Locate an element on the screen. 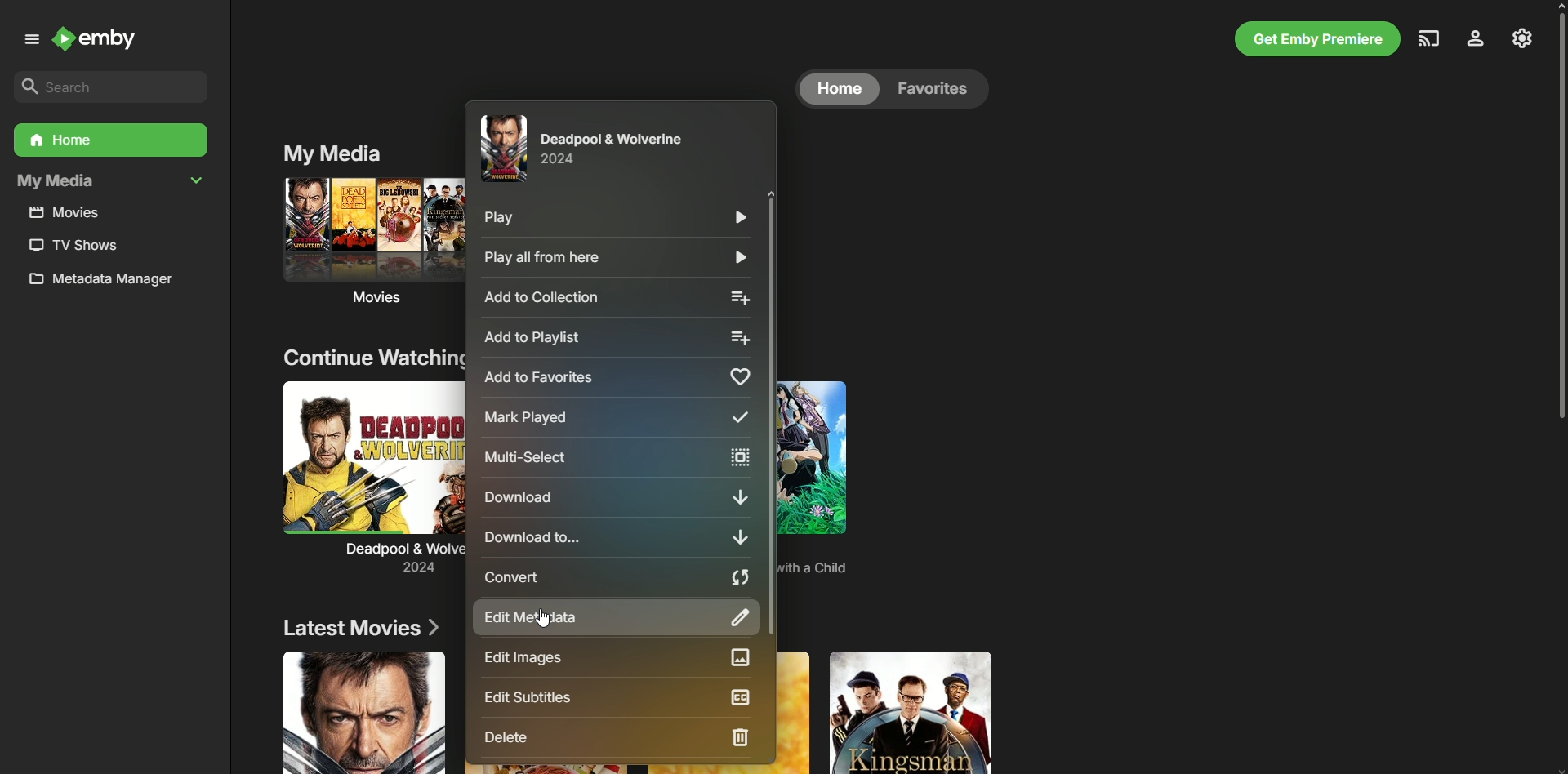  Settings is located at coordinates (1522, 37).